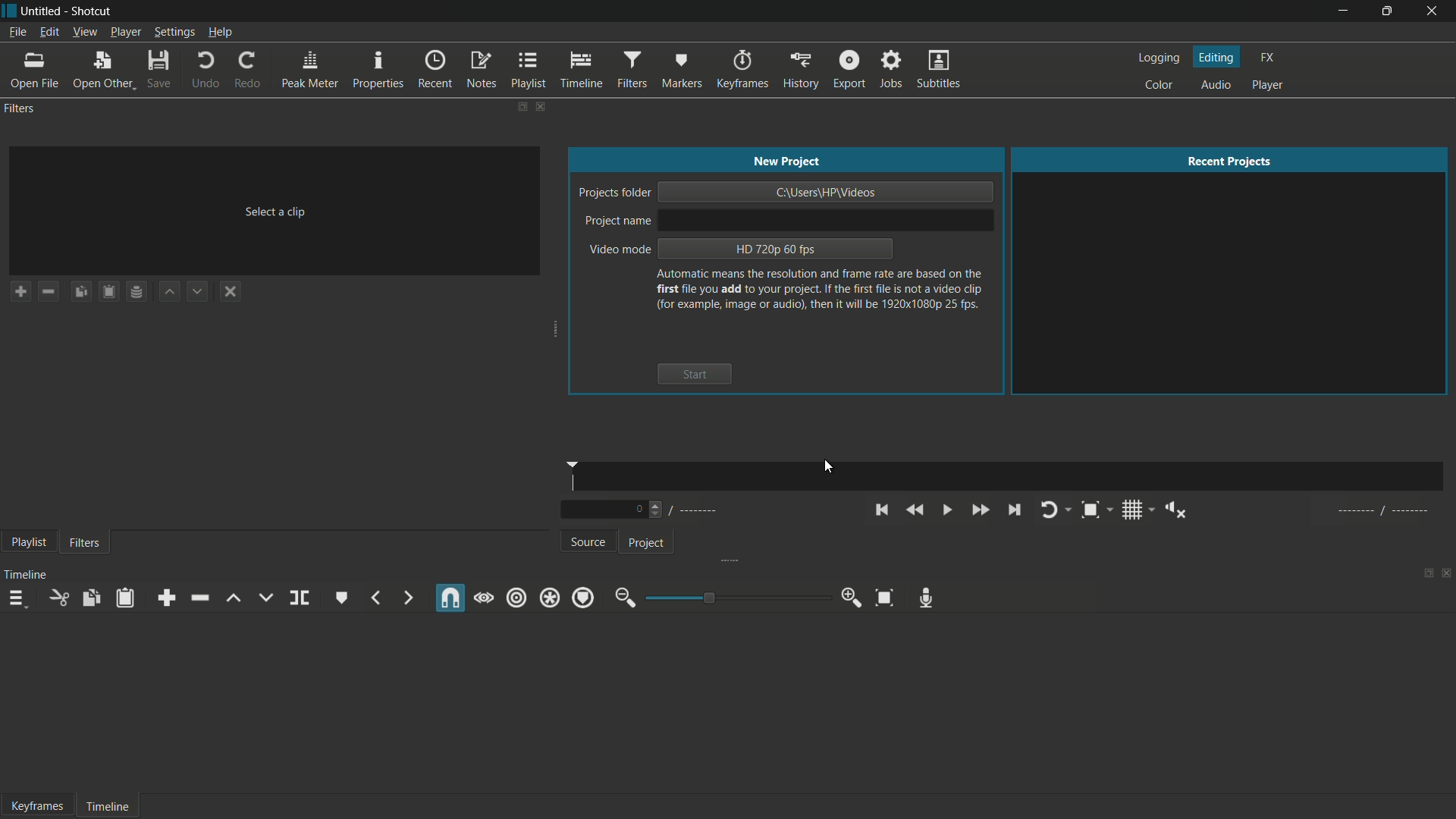 Image resolution: width=1456 pixels, height=819 pixels. I want to click on export, so click(850, 70).